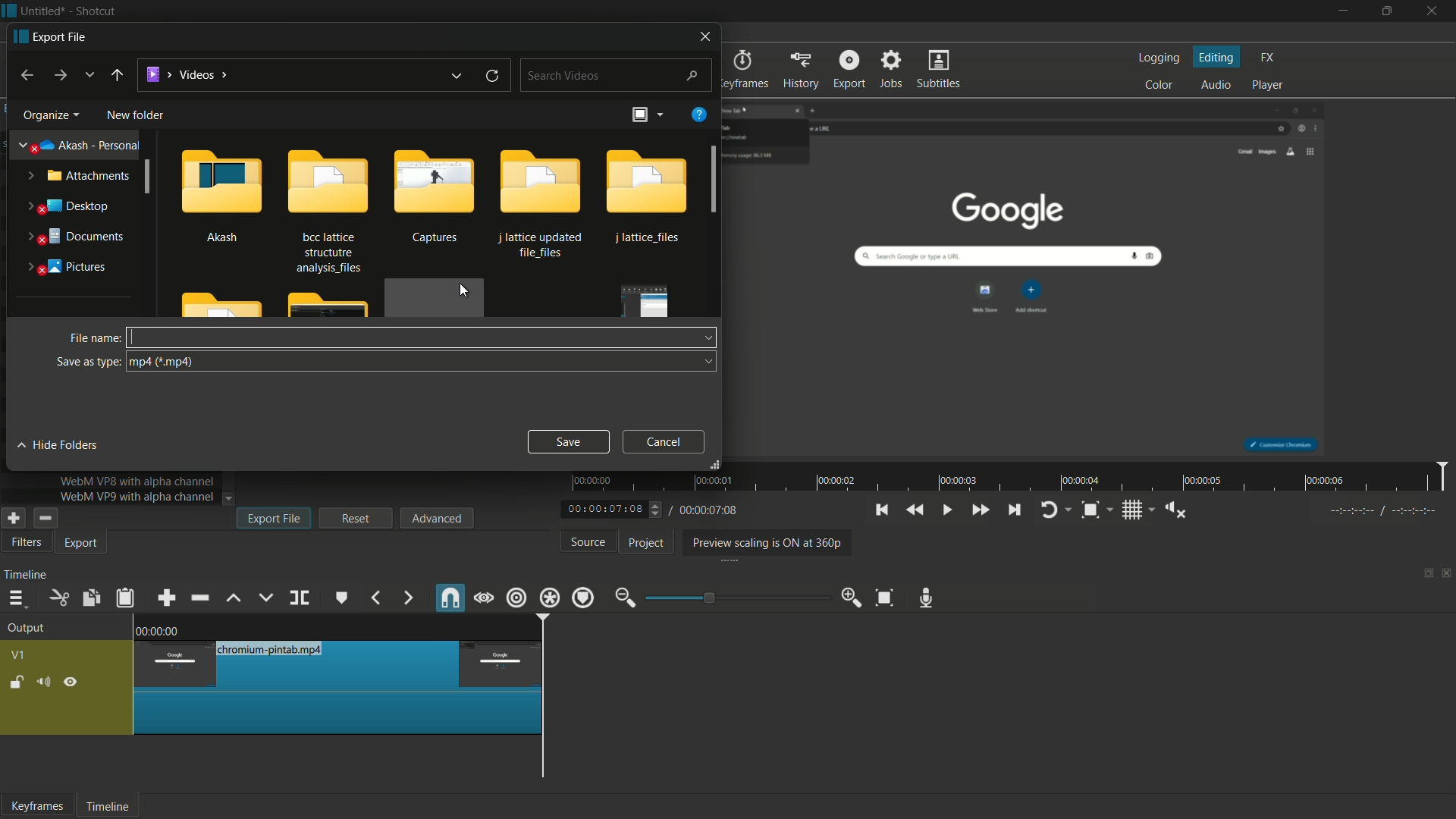 This screenshot has height=819, width=1456. Describe the element at coordinates (607, 510) in the screenshot. I see `current time` at that location.